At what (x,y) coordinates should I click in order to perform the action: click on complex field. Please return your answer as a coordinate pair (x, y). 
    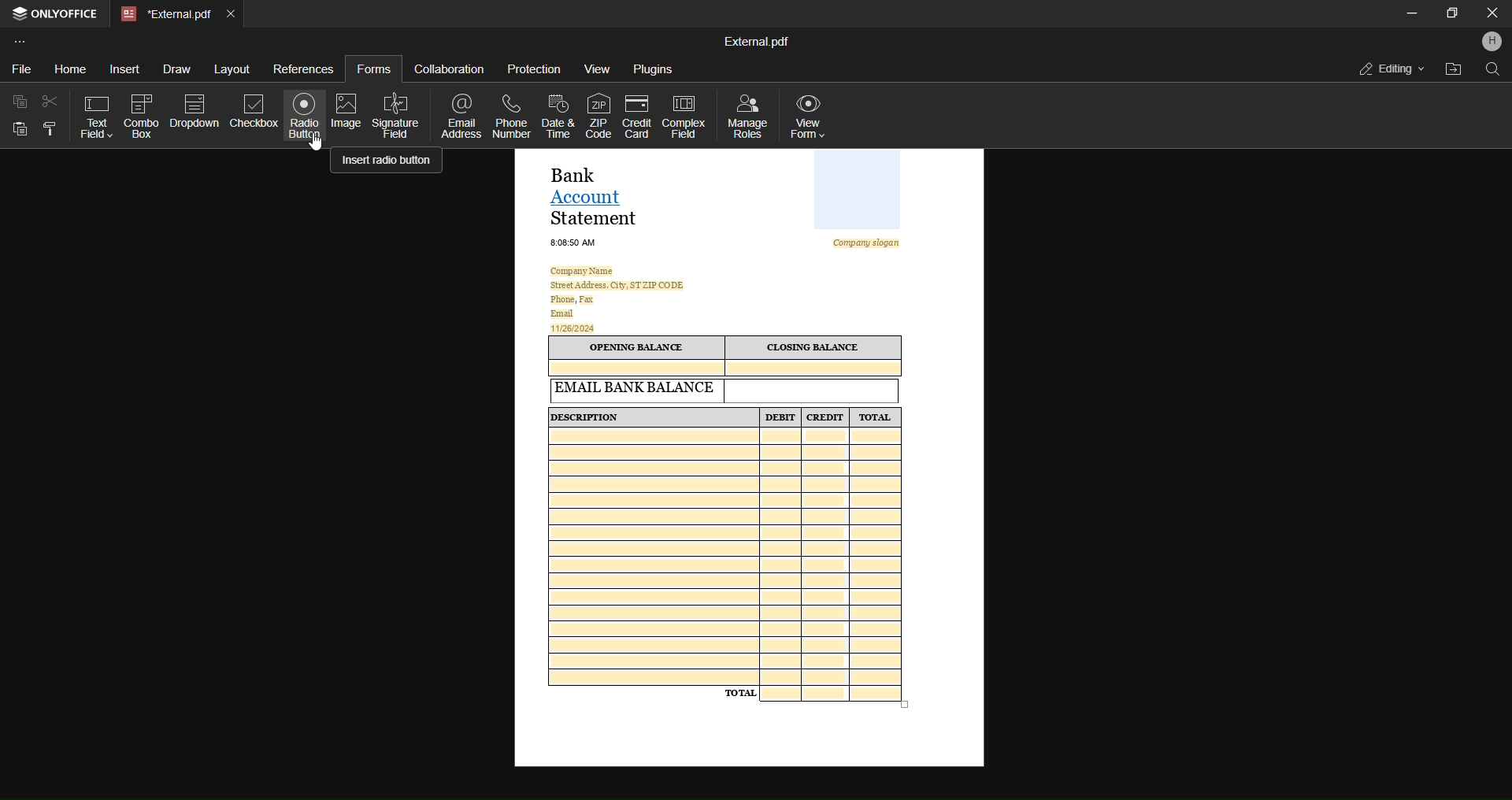
    Looking at the image, I should click on (681, 118).